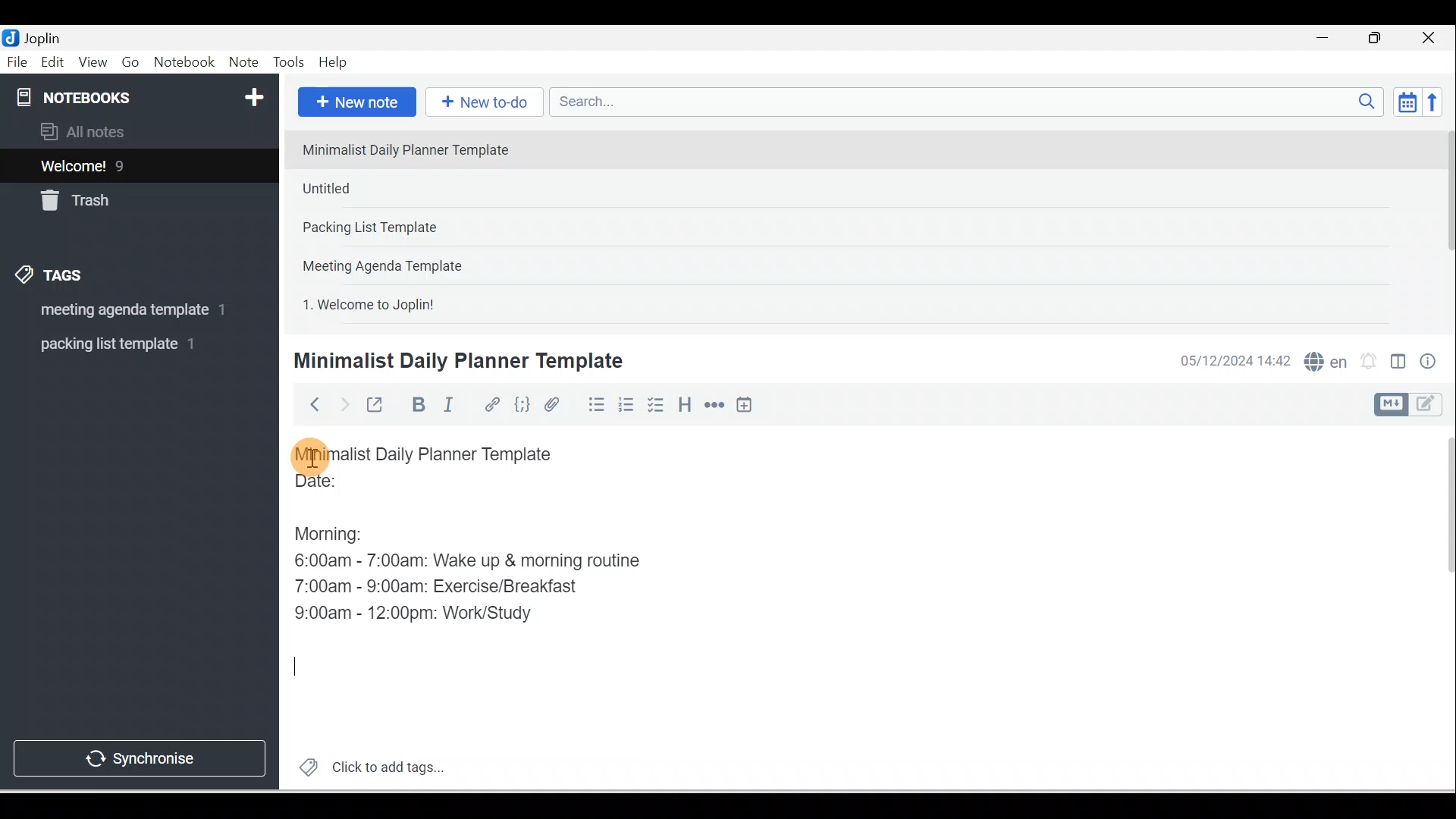 The height and width of the screenshot is (819, 1456). What do you see at coordinates (111, 196) in the screenshot?
I see `Trash` at bounding box center [111, 196].